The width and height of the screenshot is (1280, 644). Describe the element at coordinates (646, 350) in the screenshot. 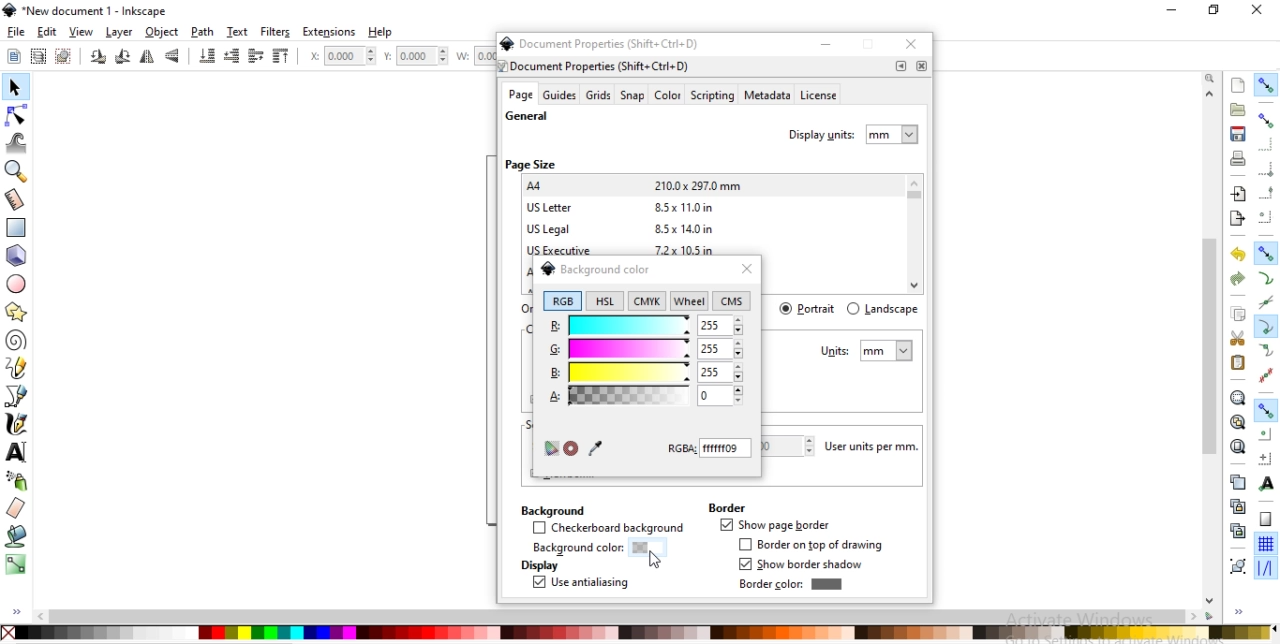

I see `g` at that location.